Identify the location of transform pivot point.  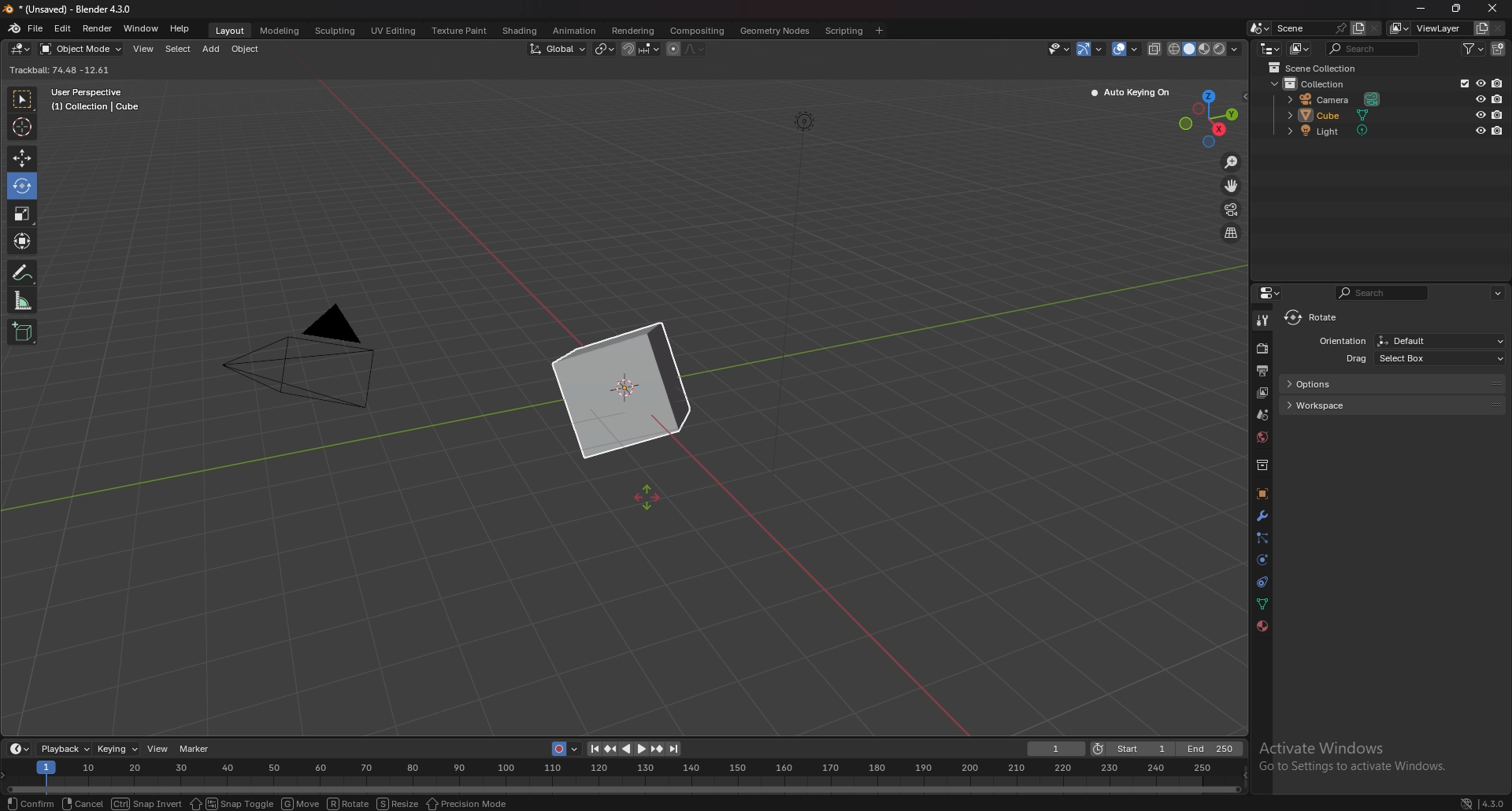
(606, 48).